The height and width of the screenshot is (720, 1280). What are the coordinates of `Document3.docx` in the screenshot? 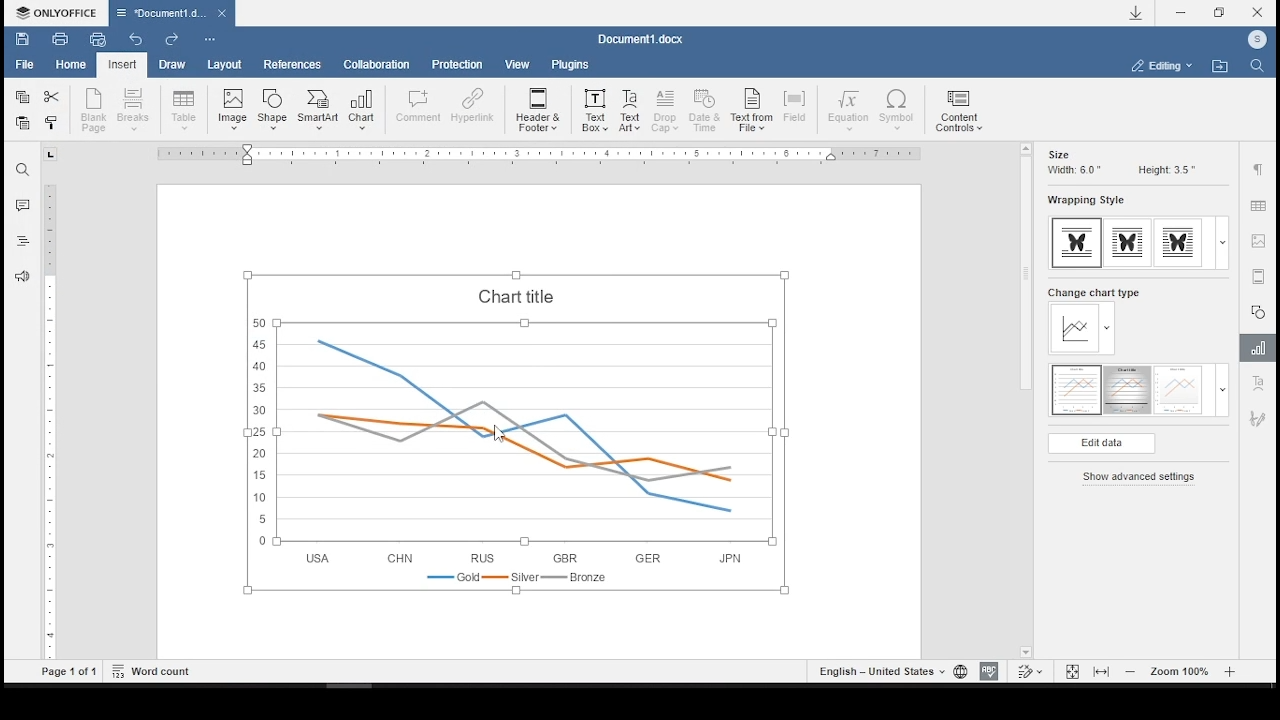 It's located at (639, 40).